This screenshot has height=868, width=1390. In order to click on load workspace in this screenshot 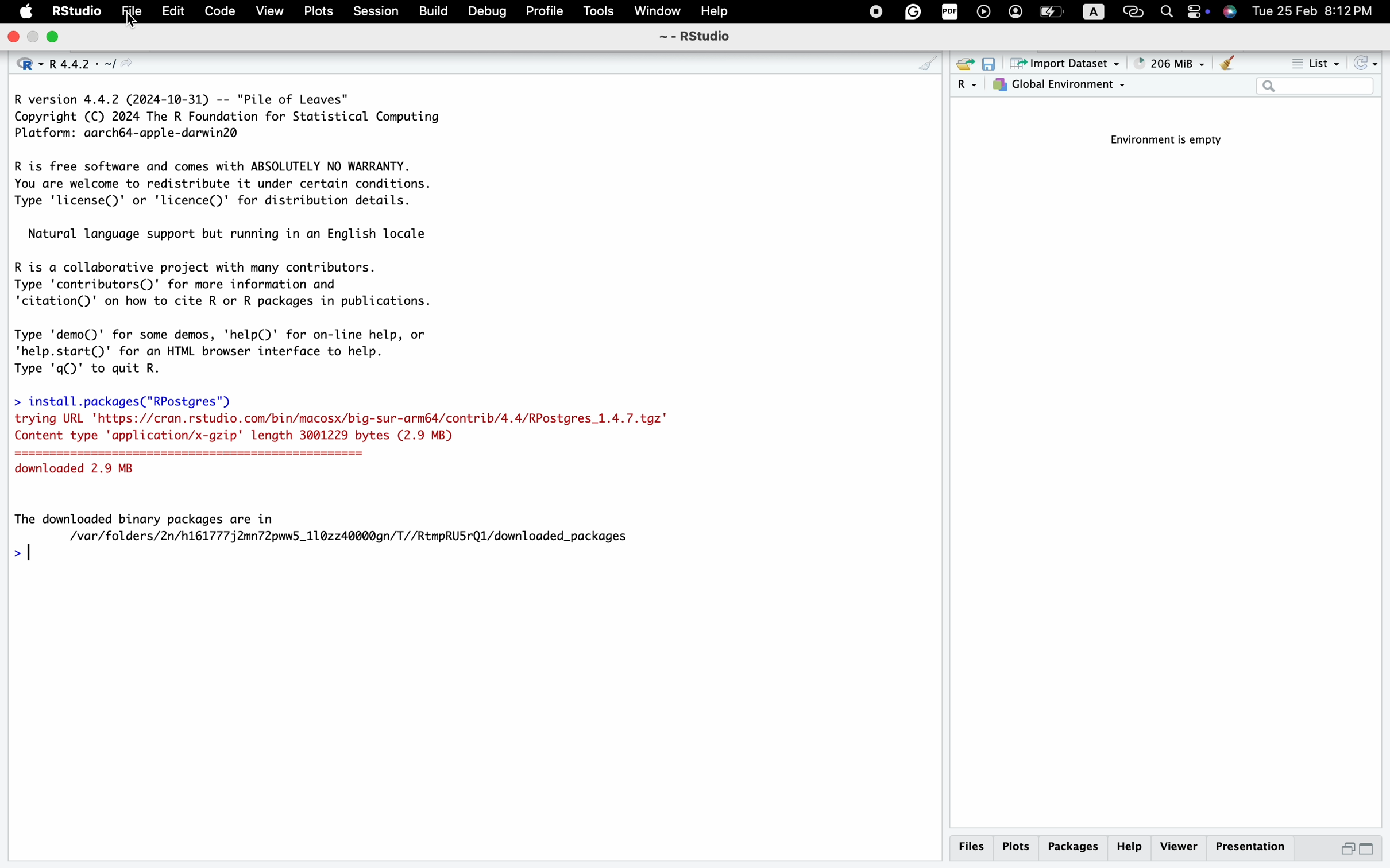, I will do `click(964, 65)`.